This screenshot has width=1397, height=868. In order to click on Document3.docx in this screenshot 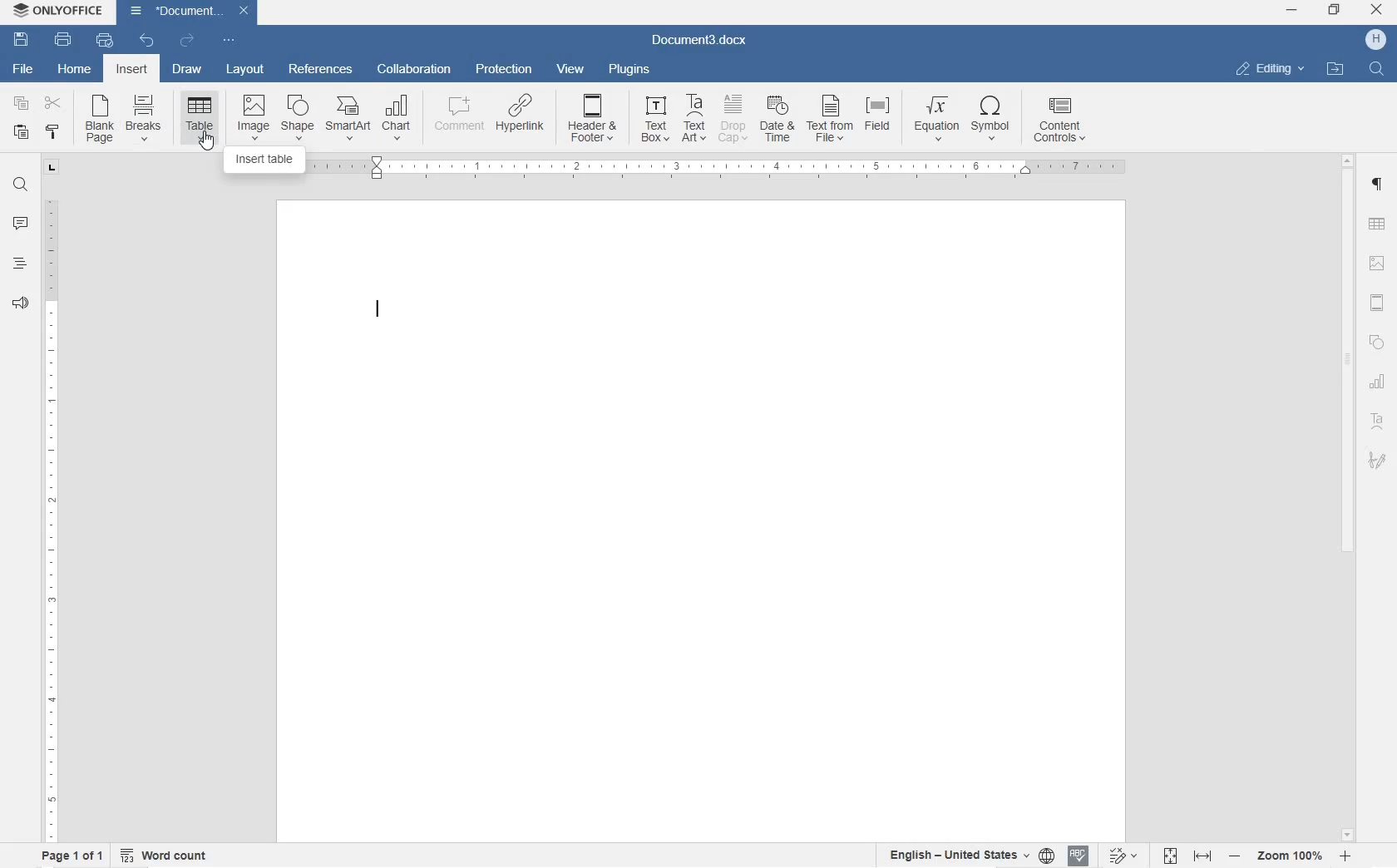, I will do `click(700, 41)`.